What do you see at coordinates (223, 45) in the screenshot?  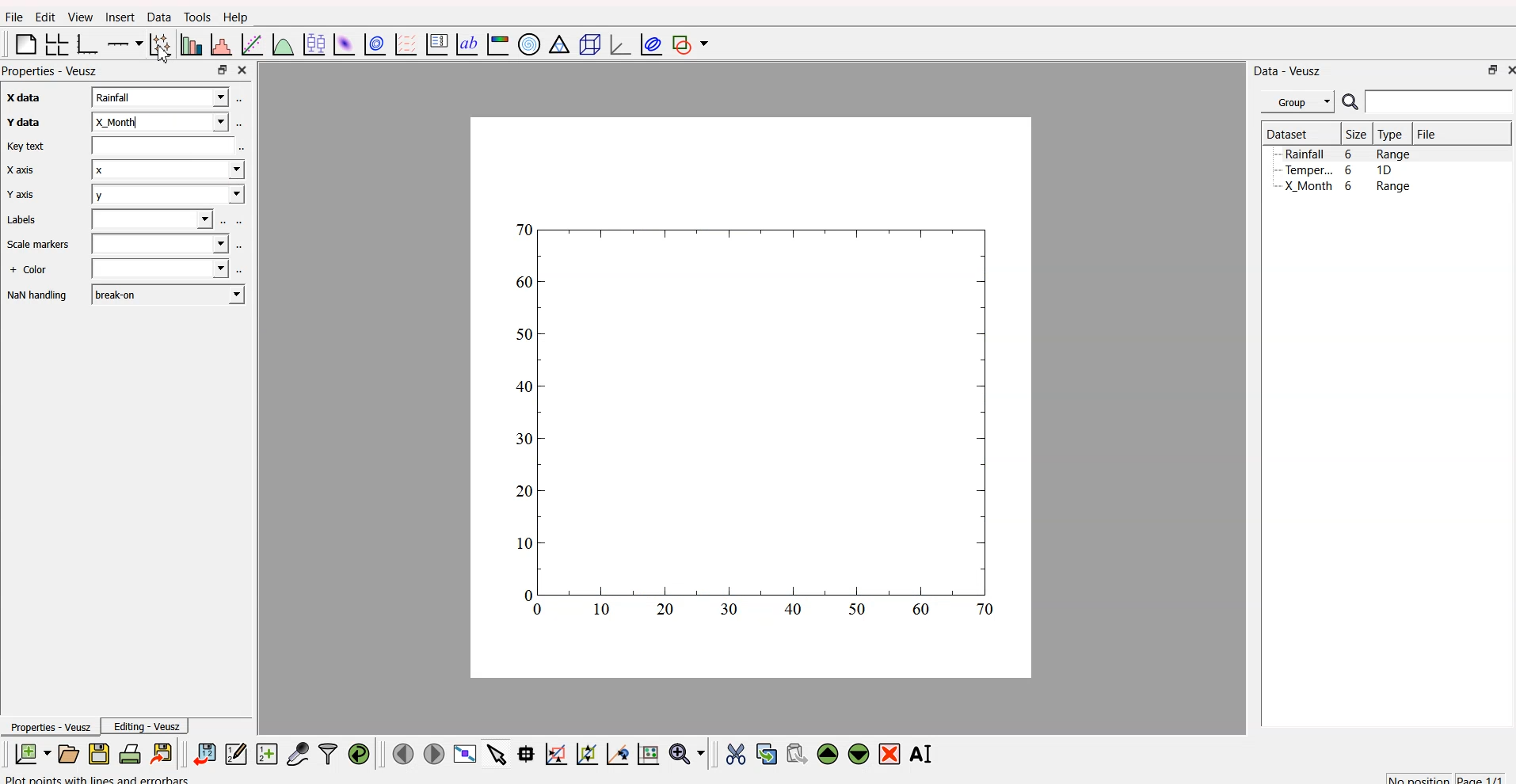 I see `histogram of dataset` at bounding box center [223, 45].